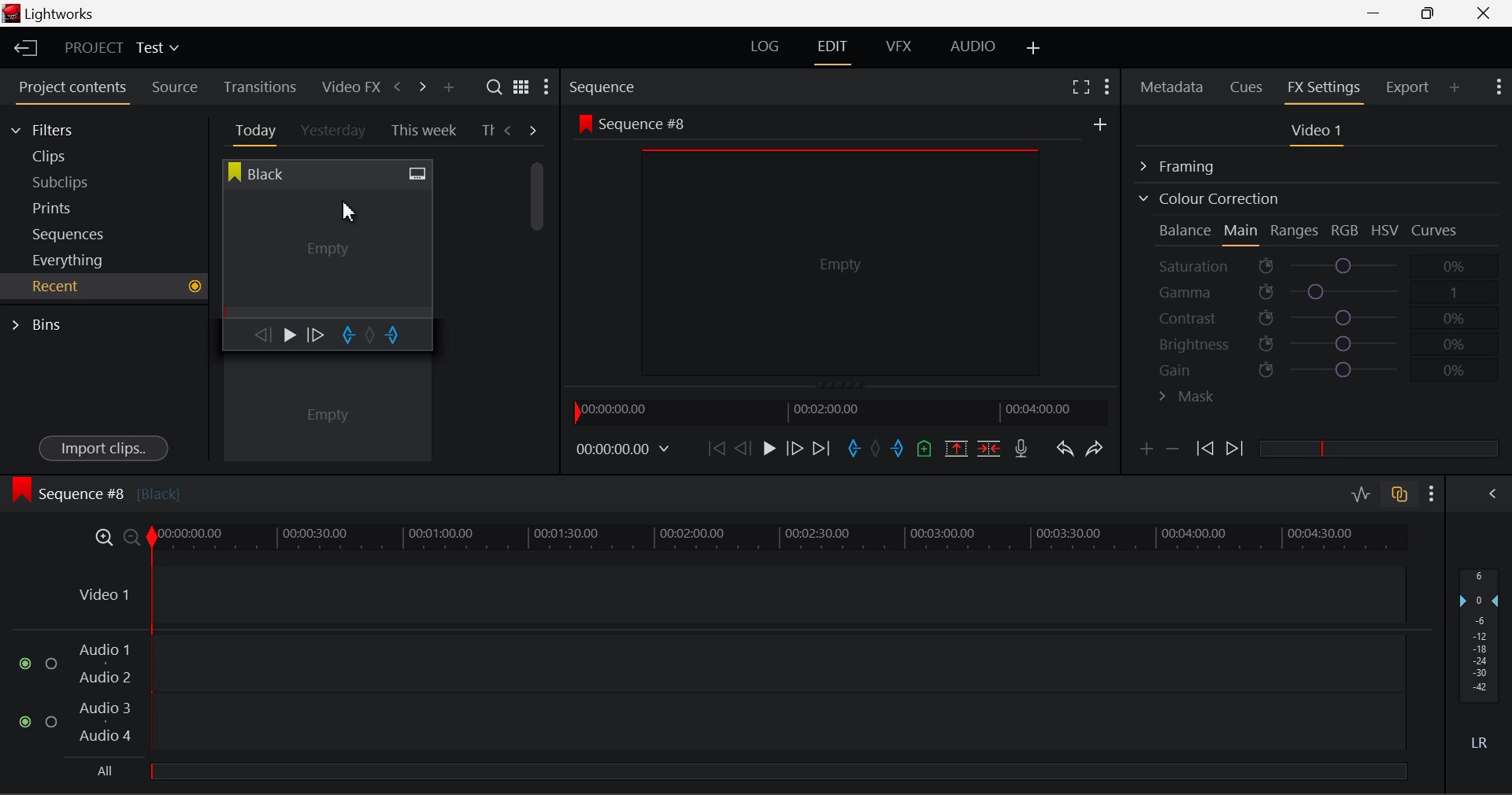  Describe the element at coordinates (767, 449) in the screenshot. I see `Play` at that location.